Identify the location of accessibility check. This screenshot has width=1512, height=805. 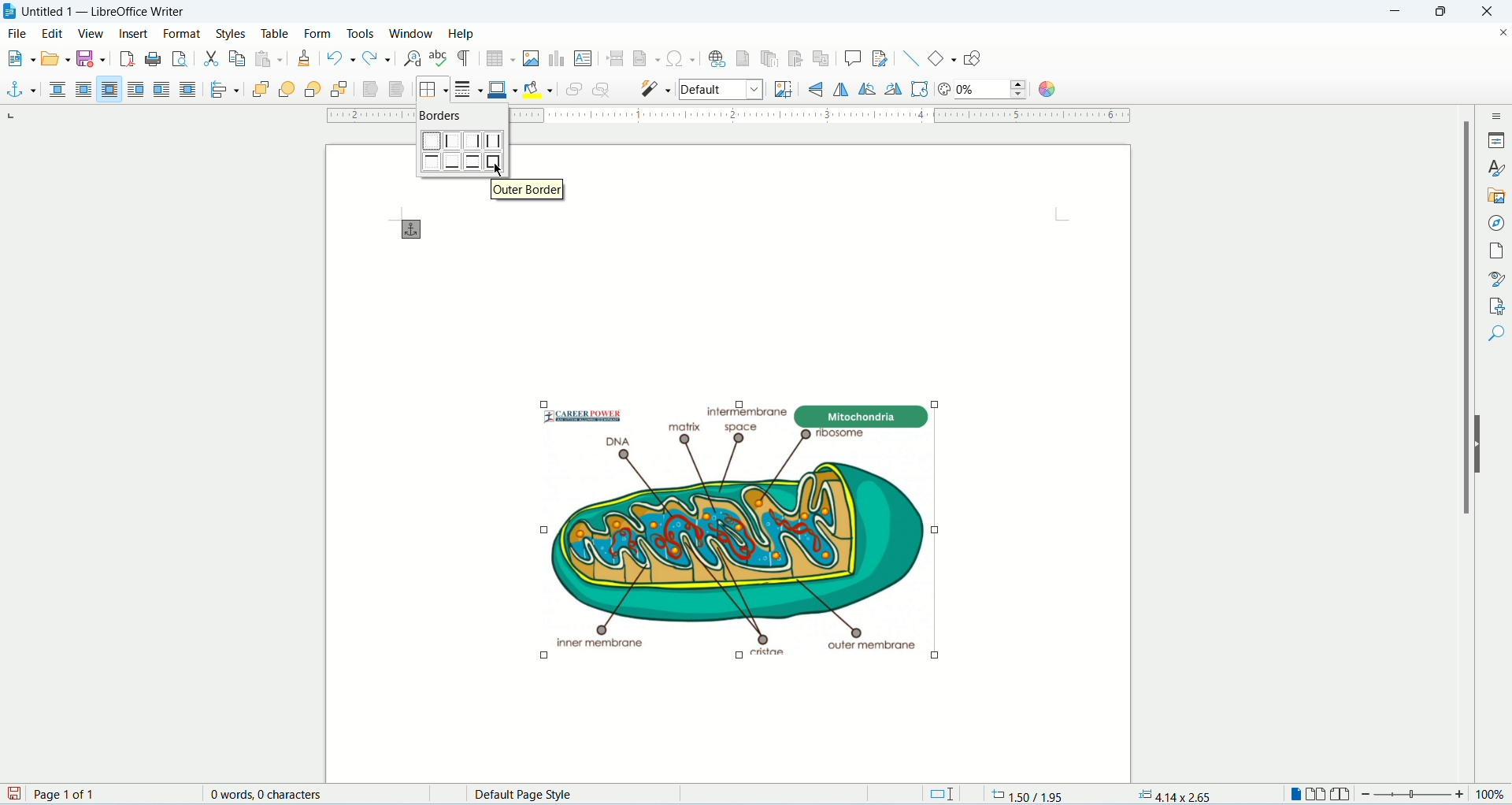
(1496, 333).